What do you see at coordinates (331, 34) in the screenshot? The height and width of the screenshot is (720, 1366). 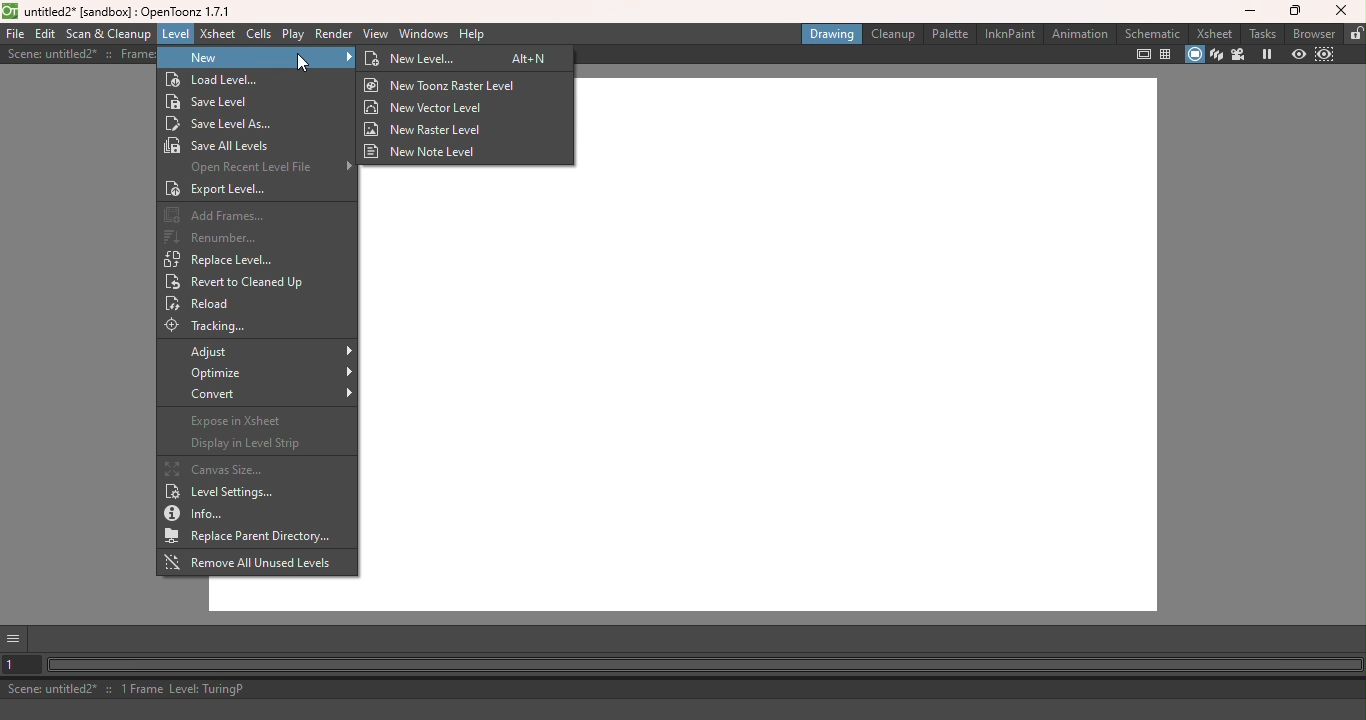 I see `Render` at bounding box center [331, 34].